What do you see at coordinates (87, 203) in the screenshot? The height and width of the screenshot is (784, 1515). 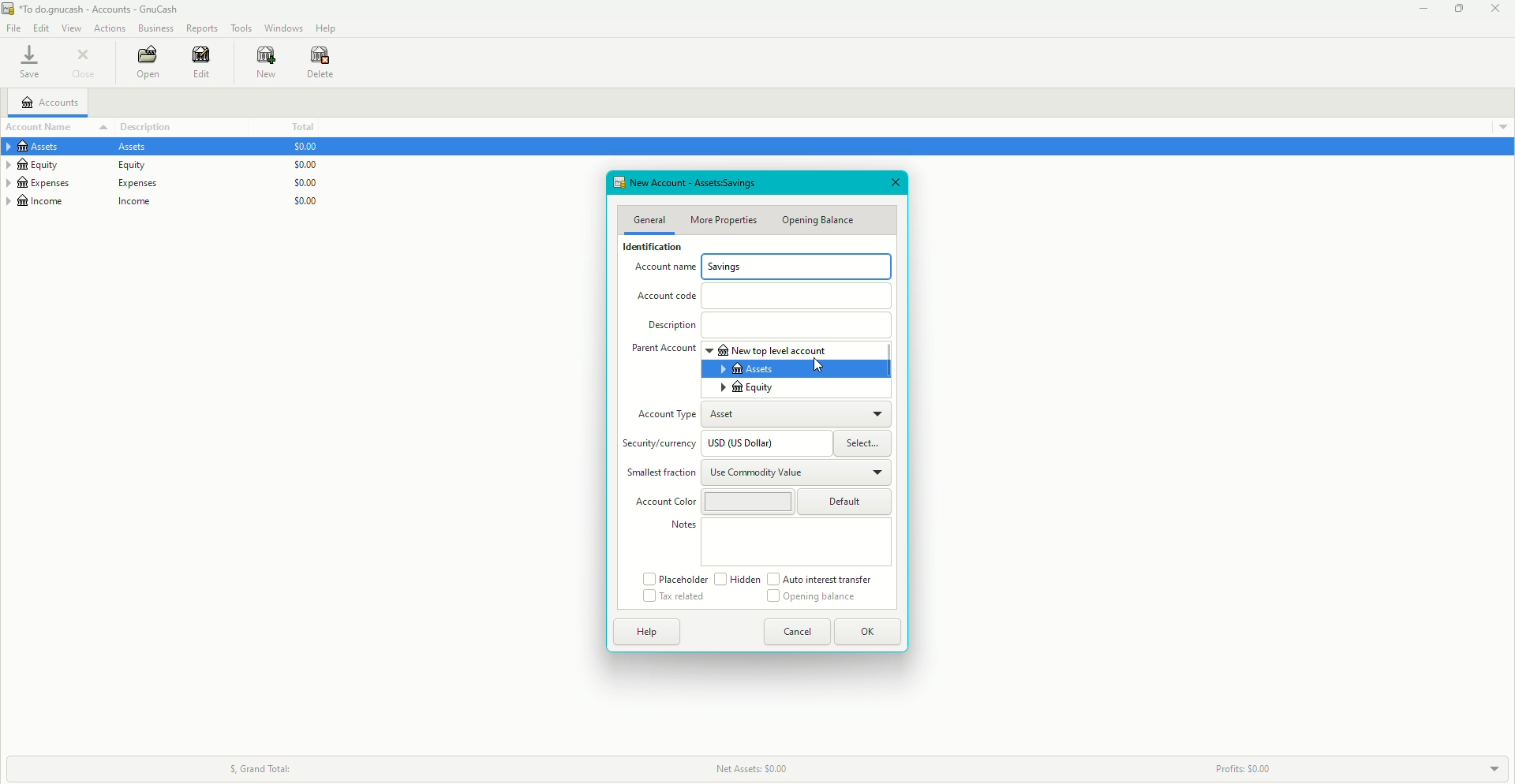 I see `Income` at bounding box center [87, 203].